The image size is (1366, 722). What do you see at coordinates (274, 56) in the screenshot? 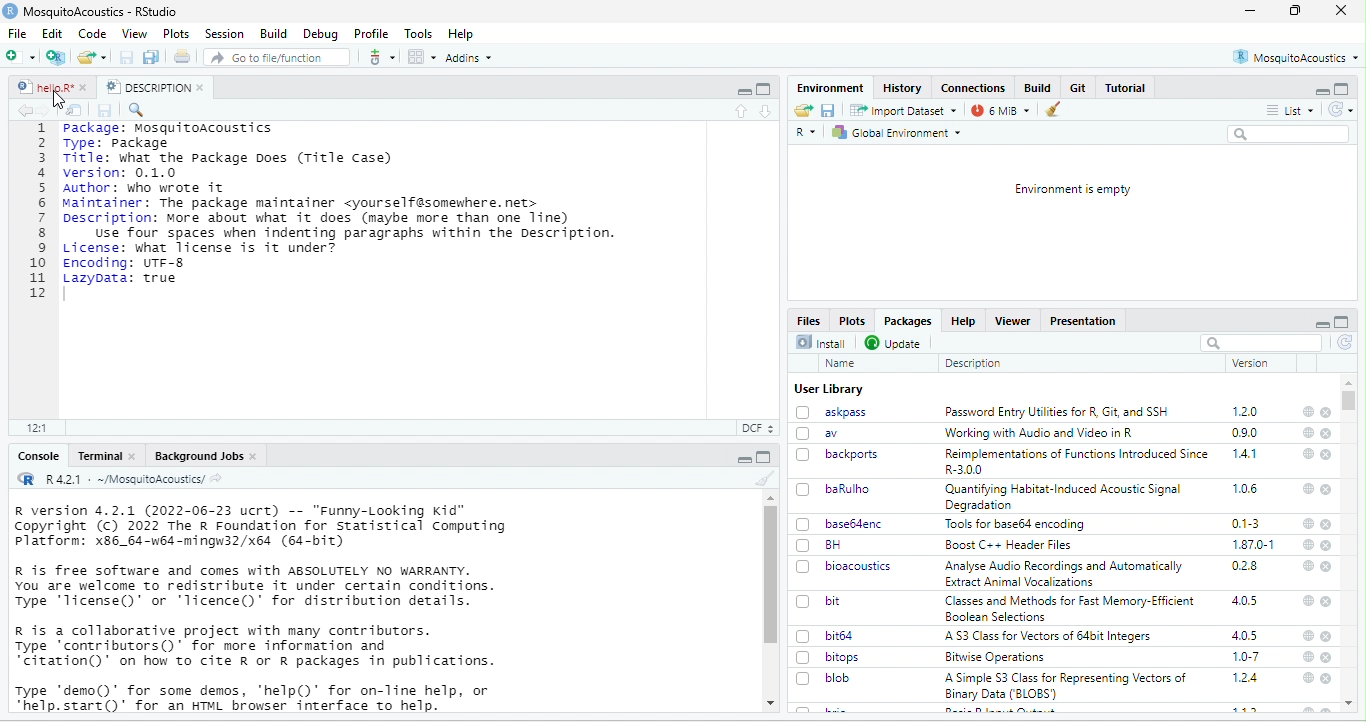
I see `Go to file/function` at bounding box center [274, 56].